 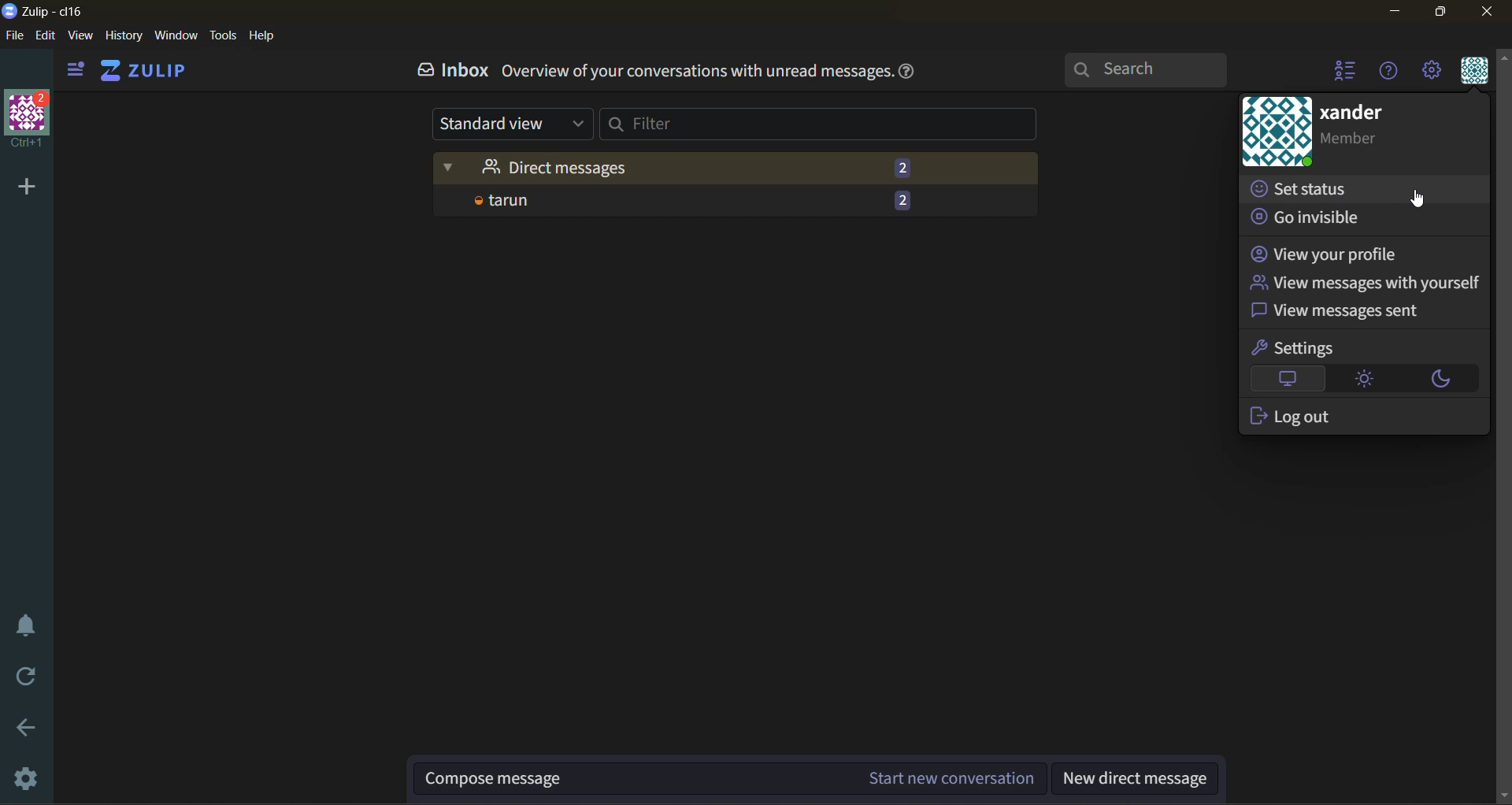 I want to click on automatic theme, so click(x=1288, y=379).